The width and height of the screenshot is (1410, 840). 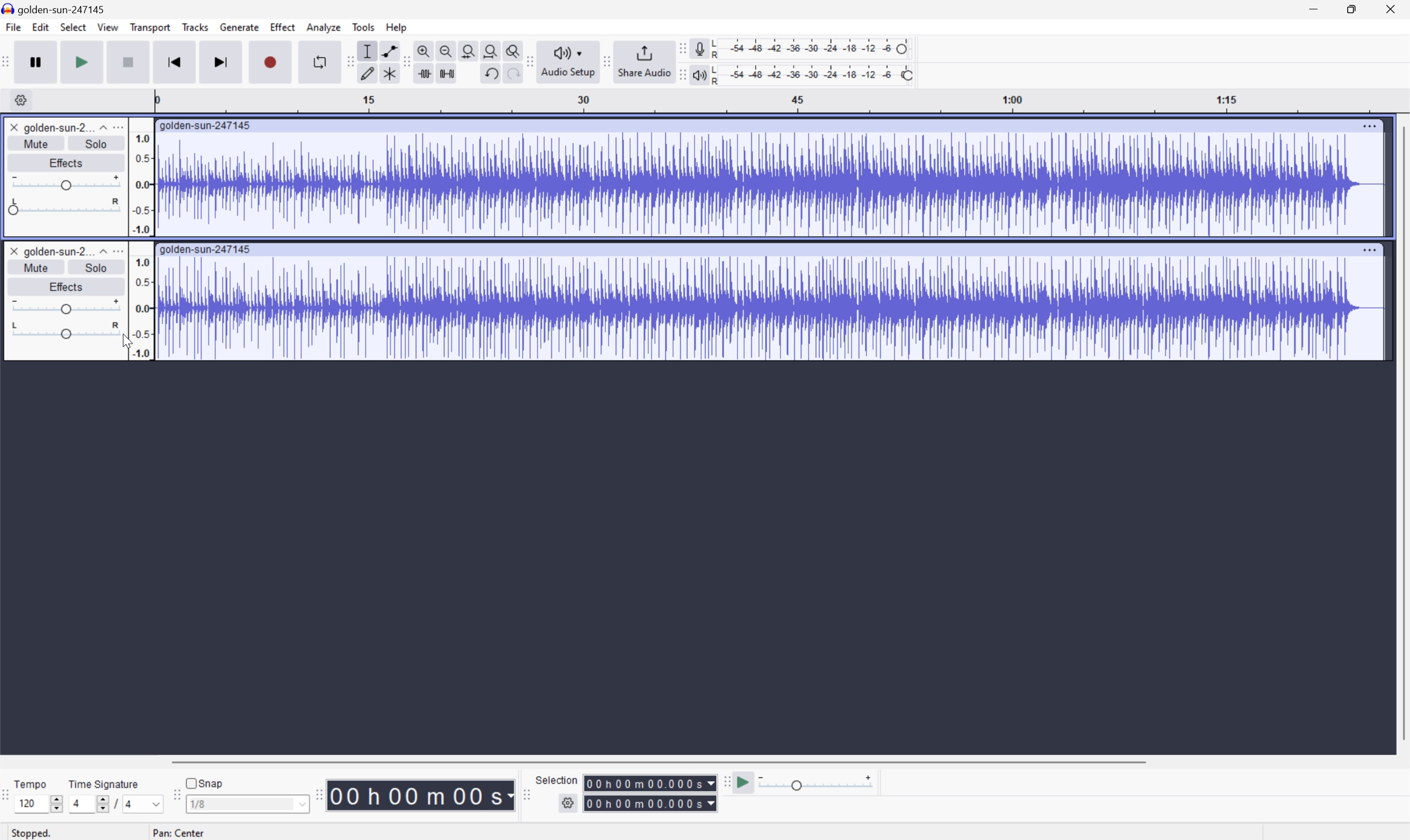 I want to click on 1/8, so click(x=250, y=803).